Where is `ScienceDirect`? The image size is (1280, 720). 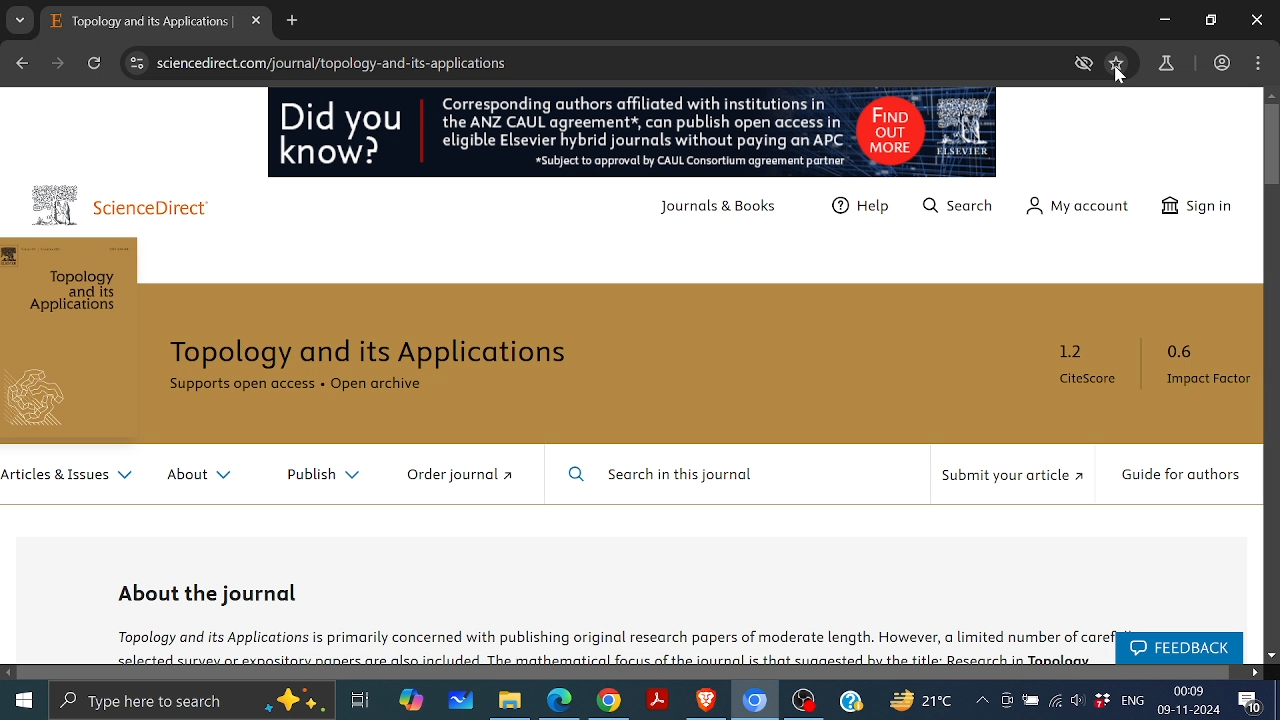
ScienceDirect is located at coordinates (163, 210).